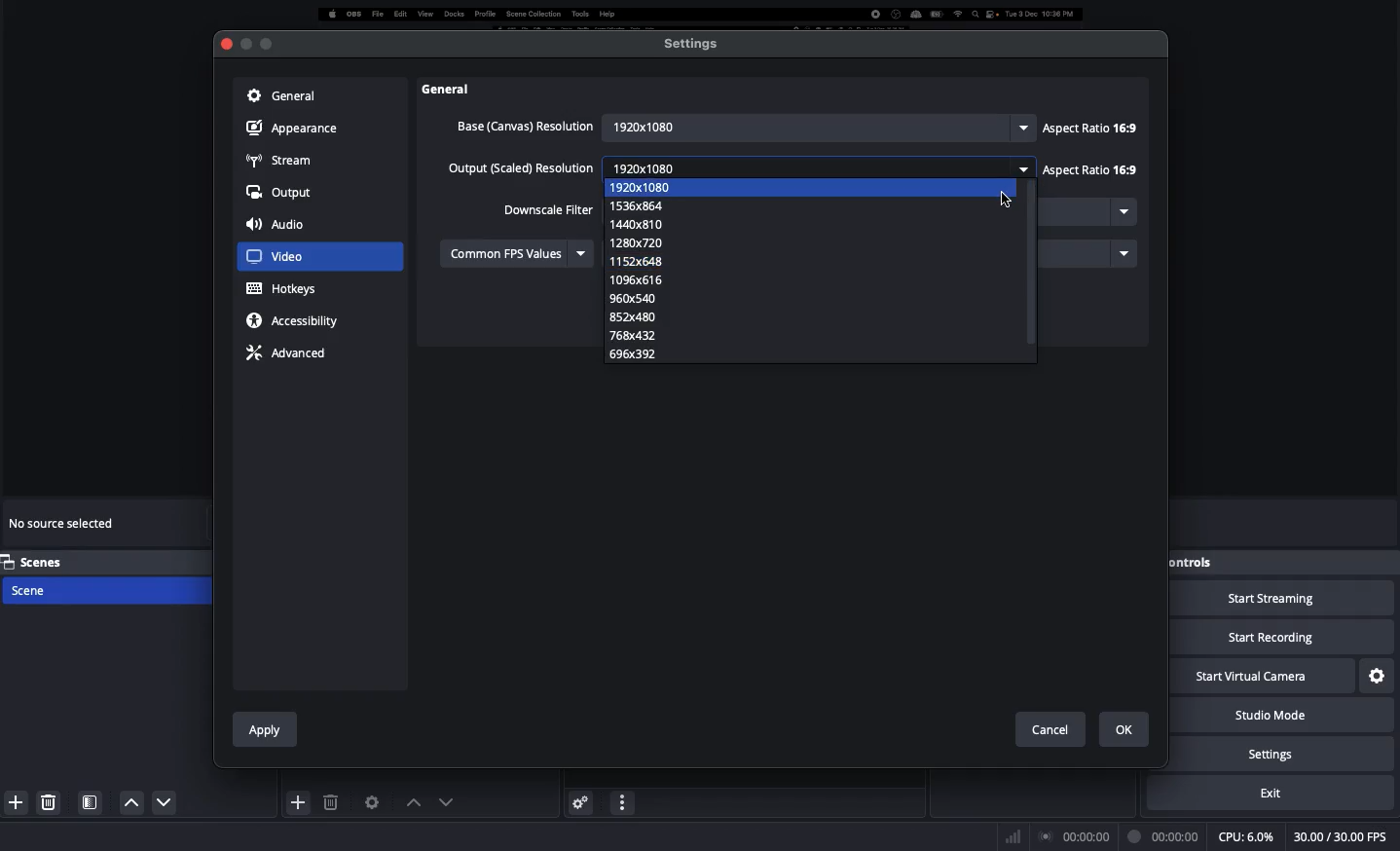  What do you see at coordinates (444, 801) in the screenshot?
I see `Move down` at bounding box center [444, 801].